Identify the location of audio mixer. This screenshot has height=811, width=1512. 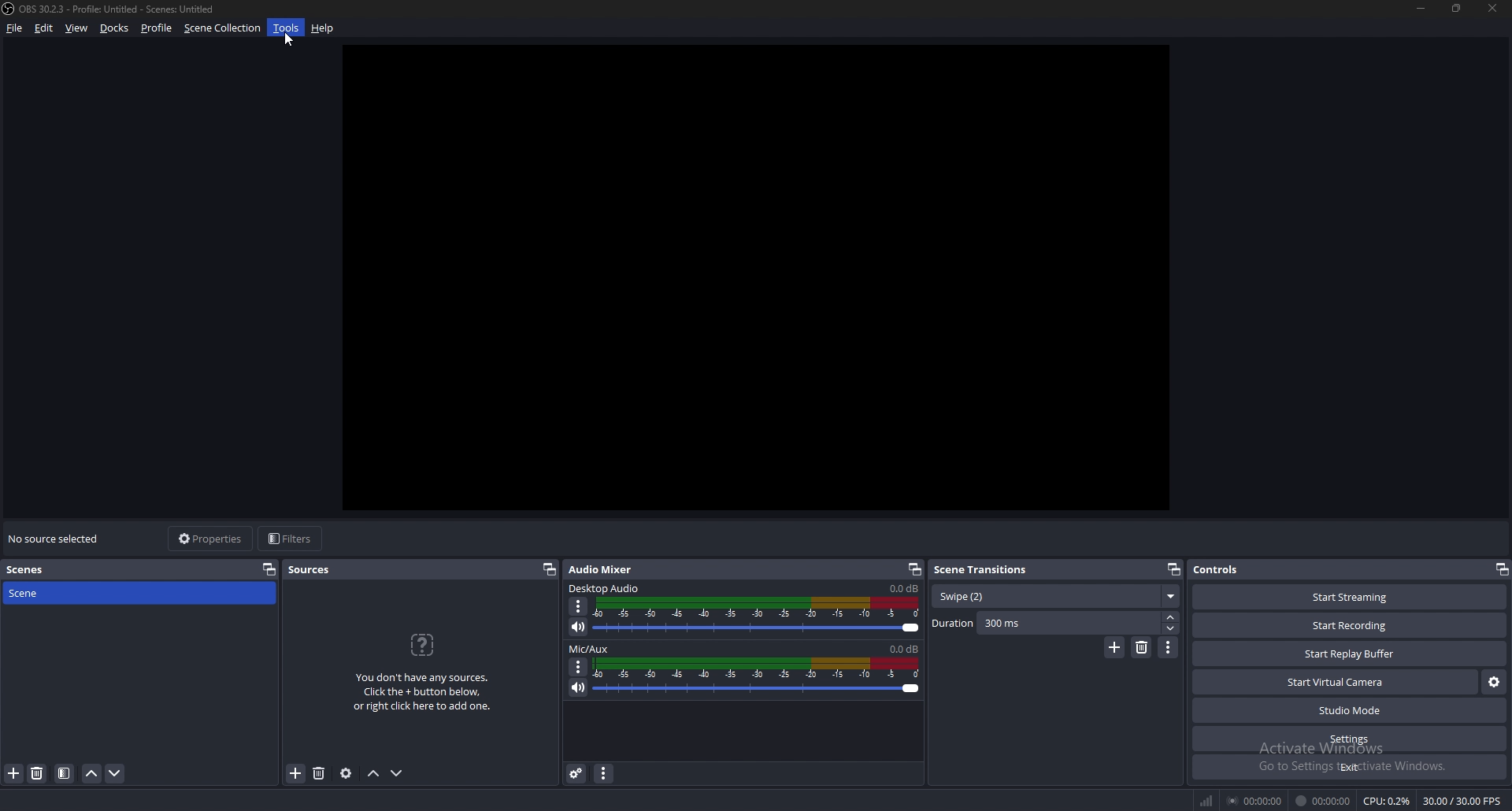
(600, 568).